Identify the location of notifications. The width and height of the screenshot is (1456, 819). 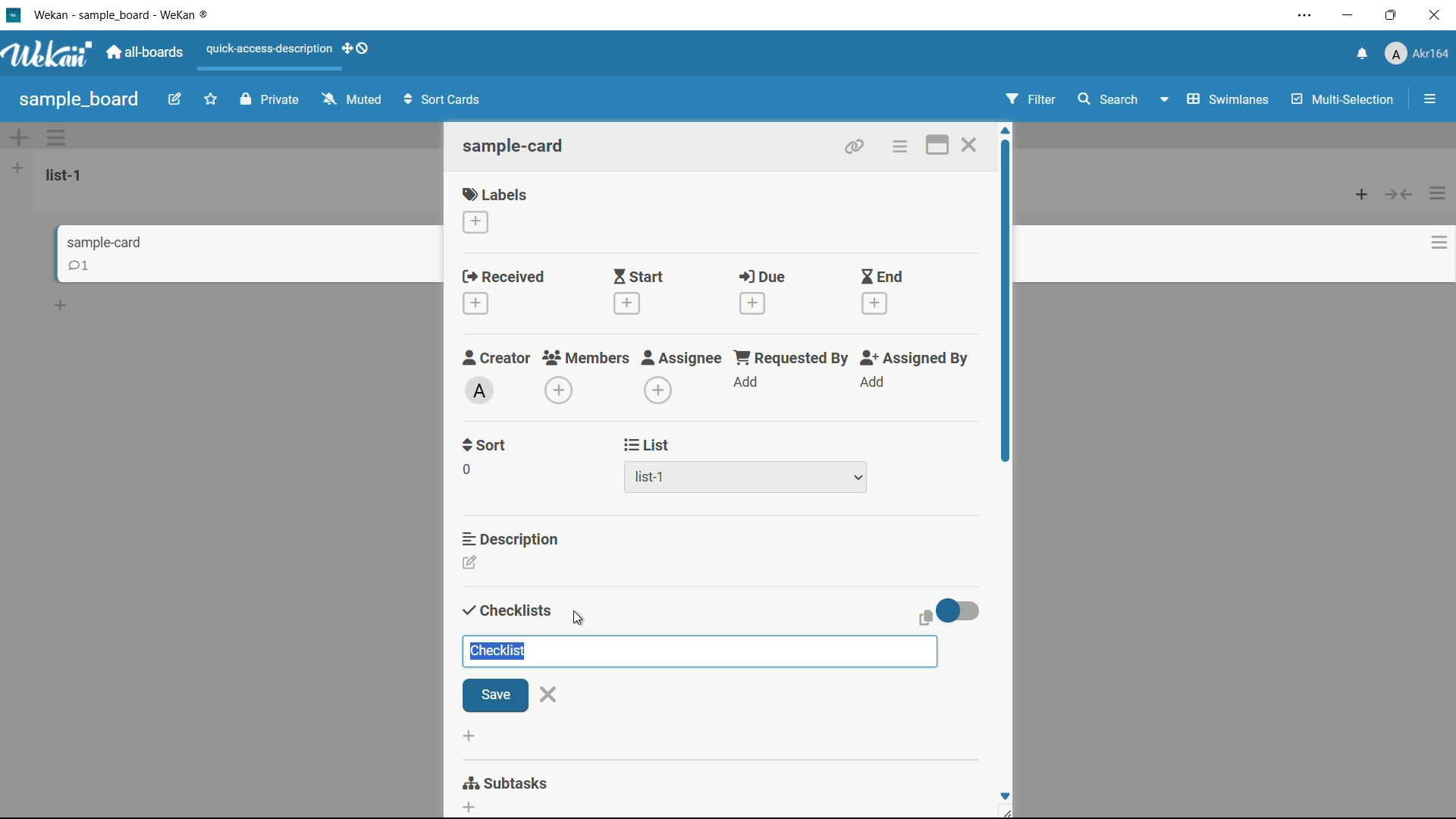
(1363, 54).